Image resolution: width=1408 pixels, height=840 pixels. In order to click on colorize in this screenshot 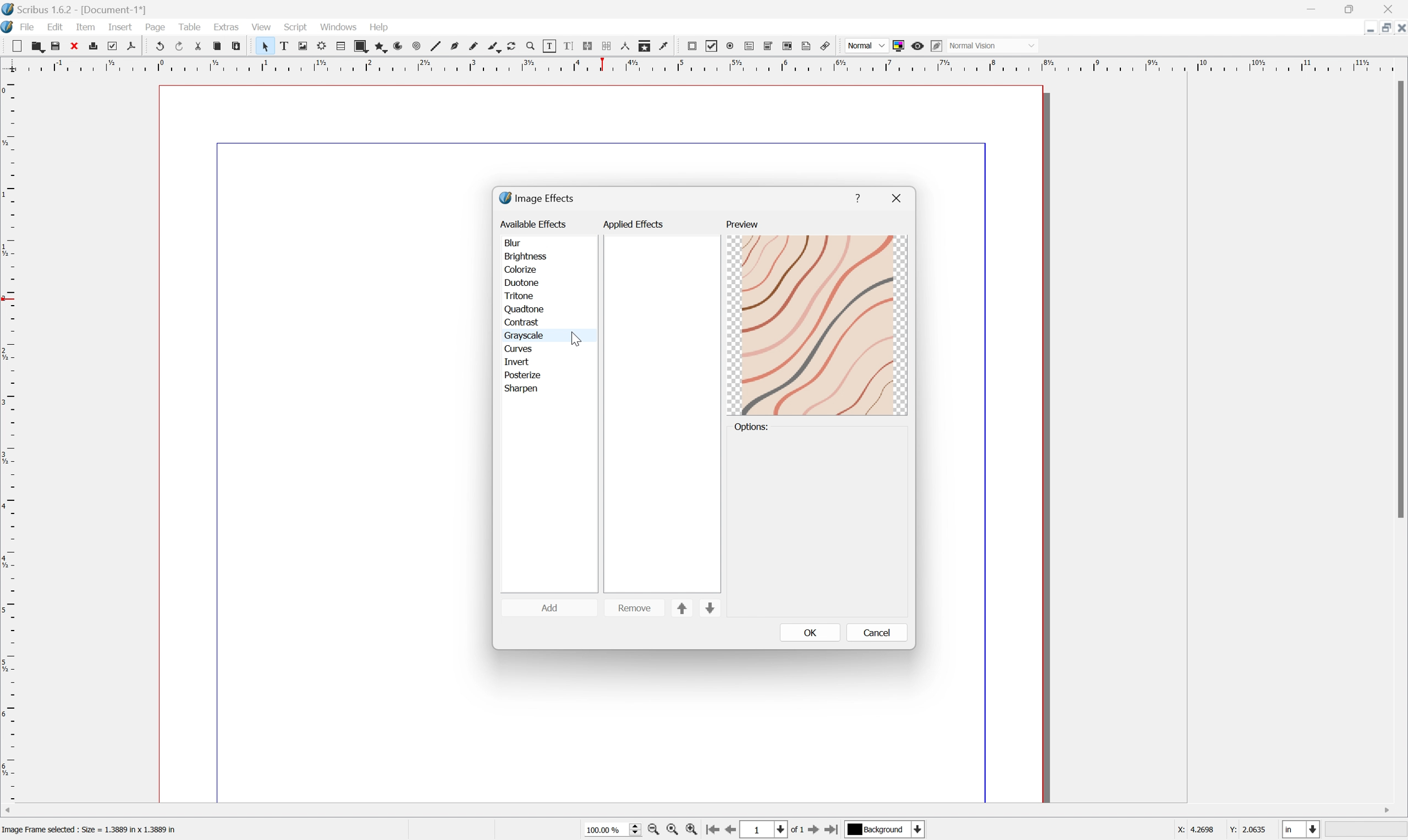, I will do `click(520, 270)`.